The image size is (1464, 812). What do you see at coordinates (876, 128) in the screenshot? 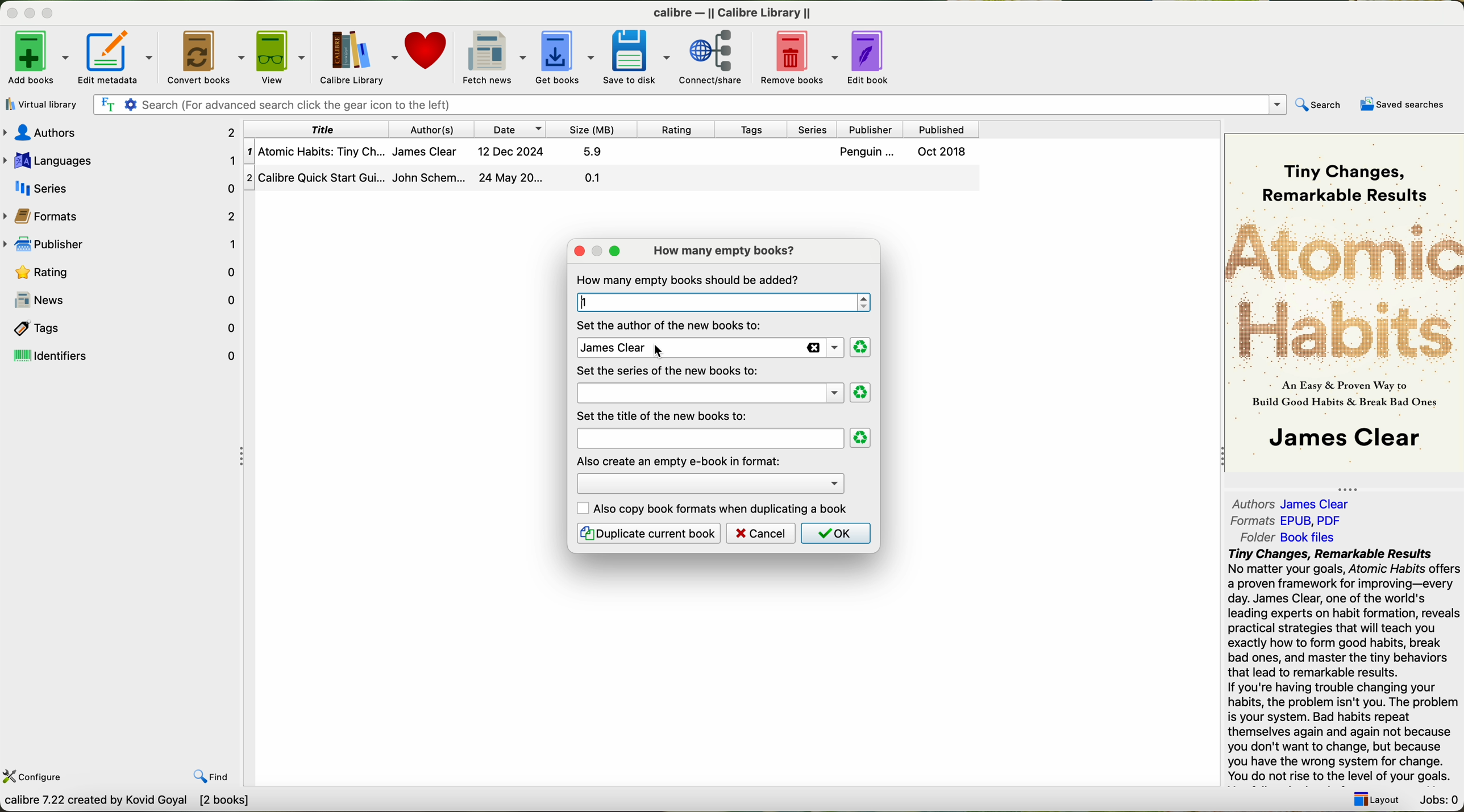
I see `publisher` at bounding box center [876, 128].